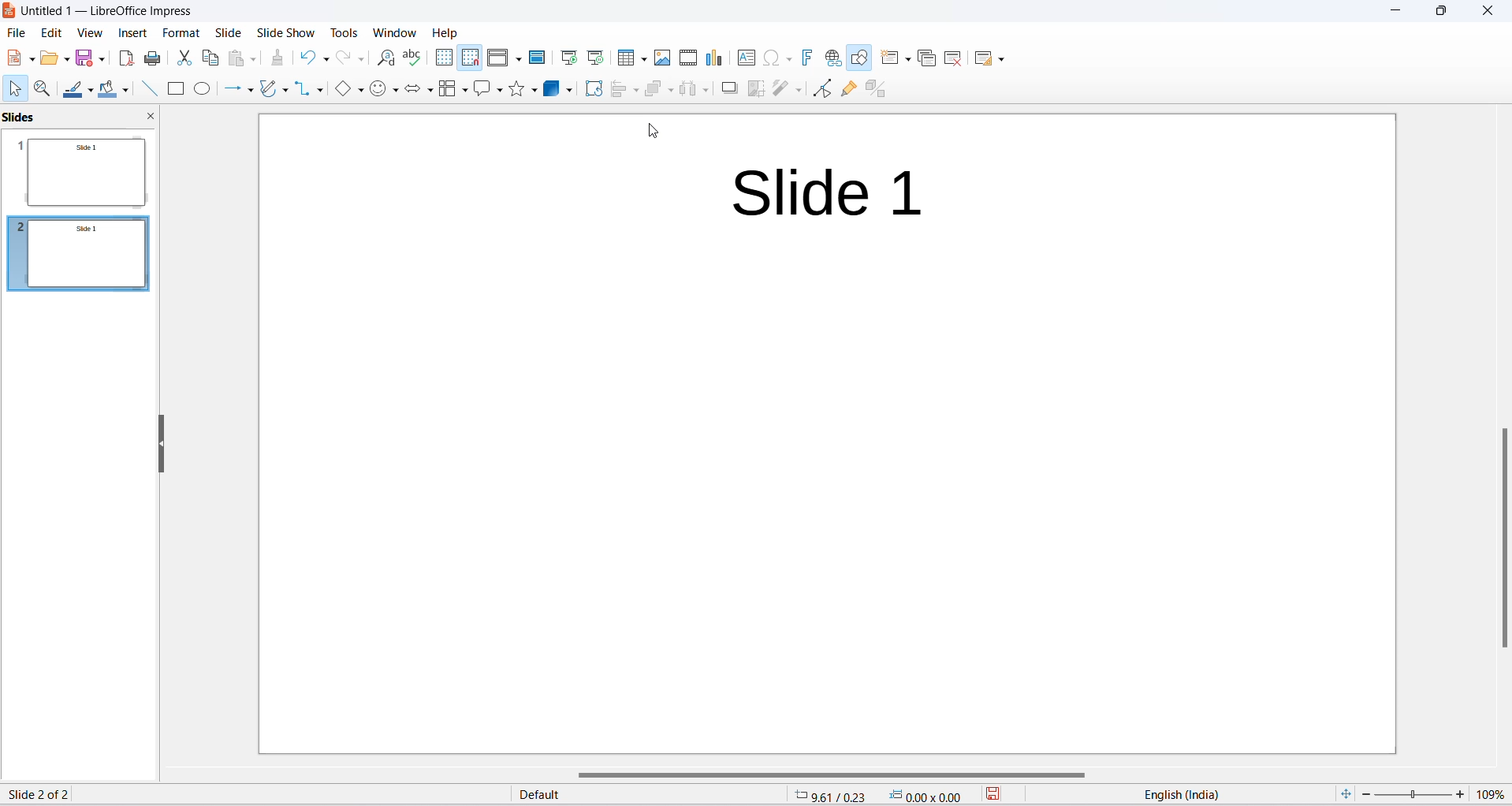 The height and width of the screenshot is (806, 1512). I want to click on horizontal scroll bar, so click(831, 774).